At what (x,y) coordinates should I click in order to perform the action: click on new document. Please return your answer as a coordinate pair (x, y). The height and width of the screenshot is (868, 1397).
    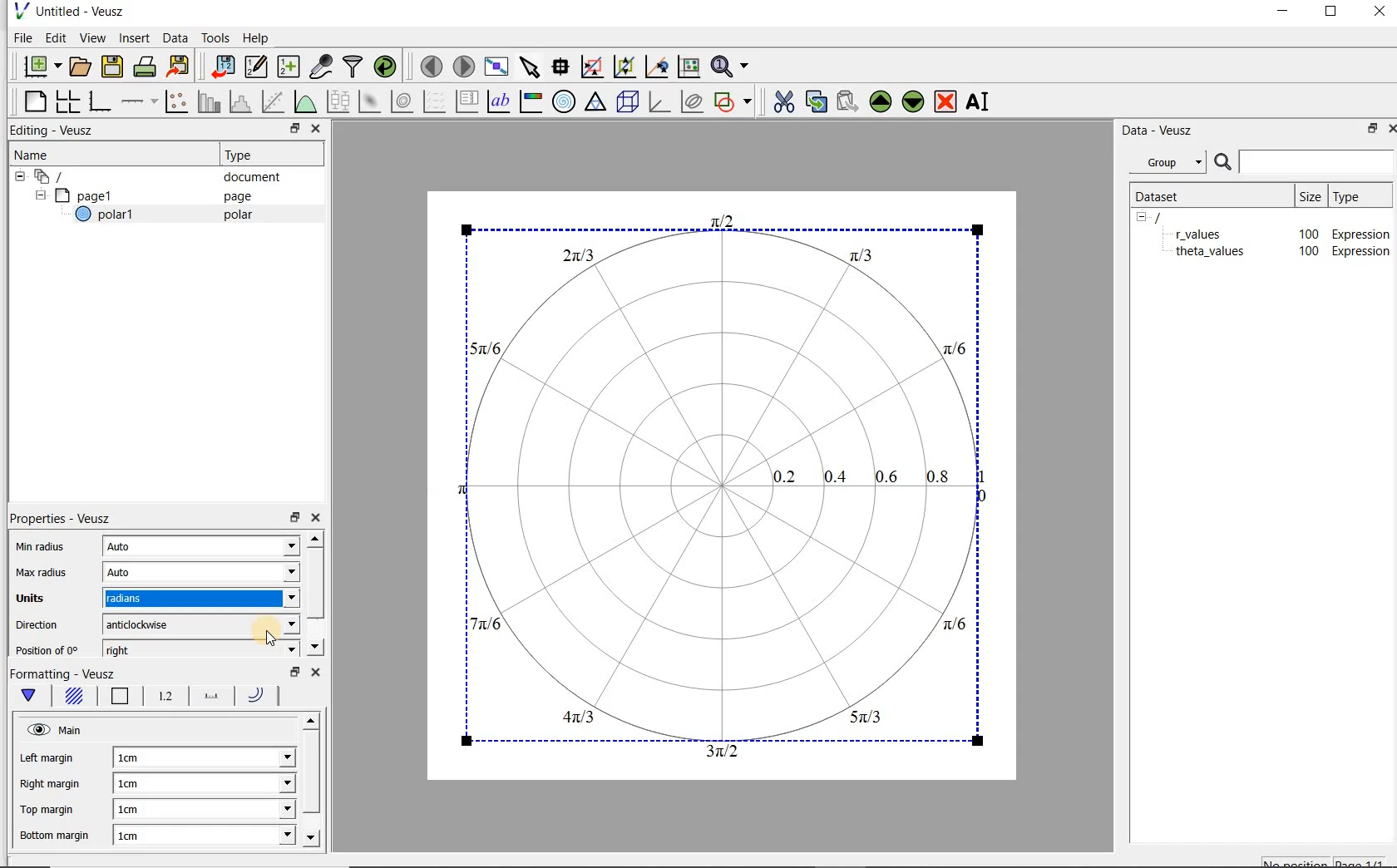
    Looking at the image, I should click on (38, 64).